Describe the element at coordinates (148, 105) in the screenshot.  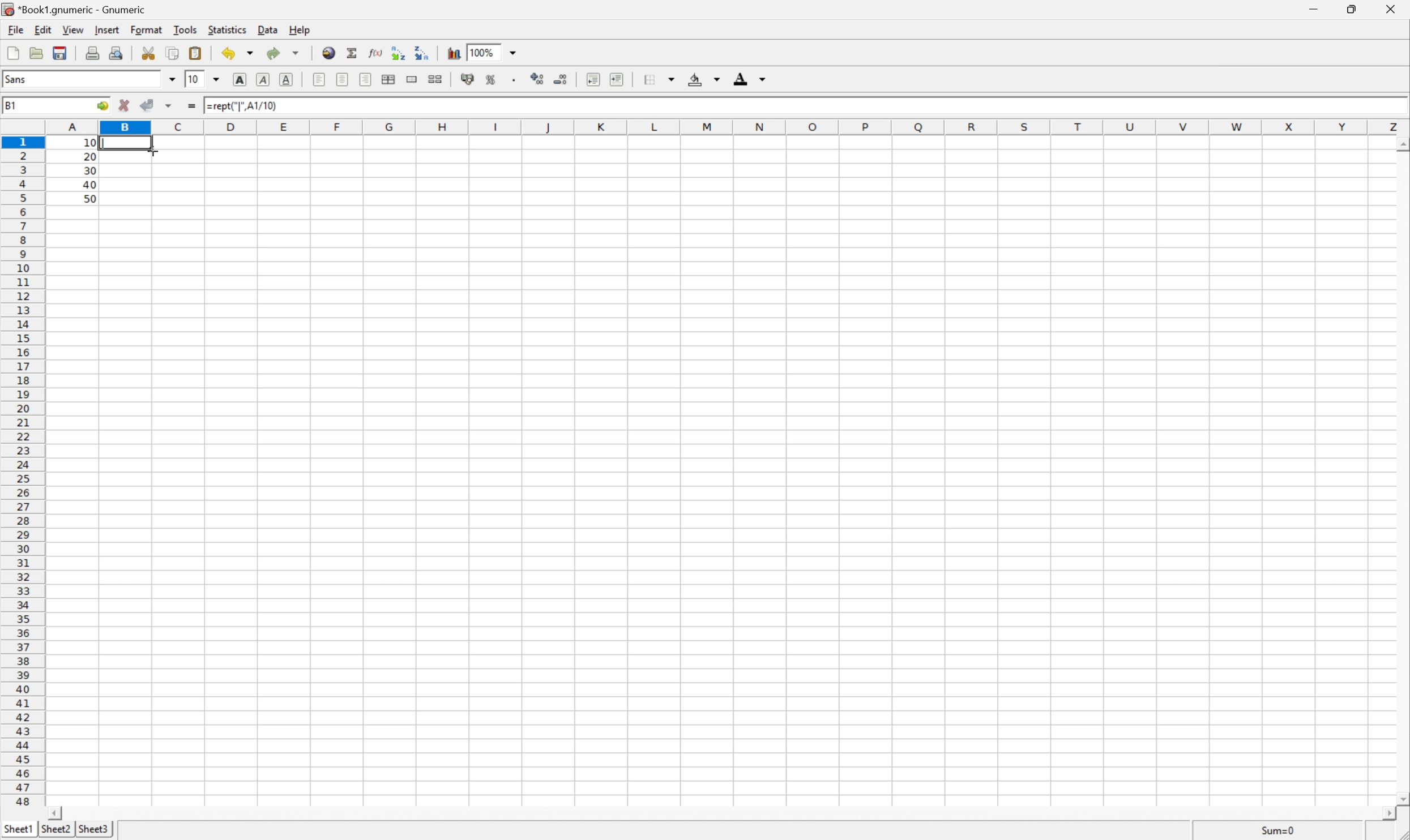
I see `Accept changes` at that location.